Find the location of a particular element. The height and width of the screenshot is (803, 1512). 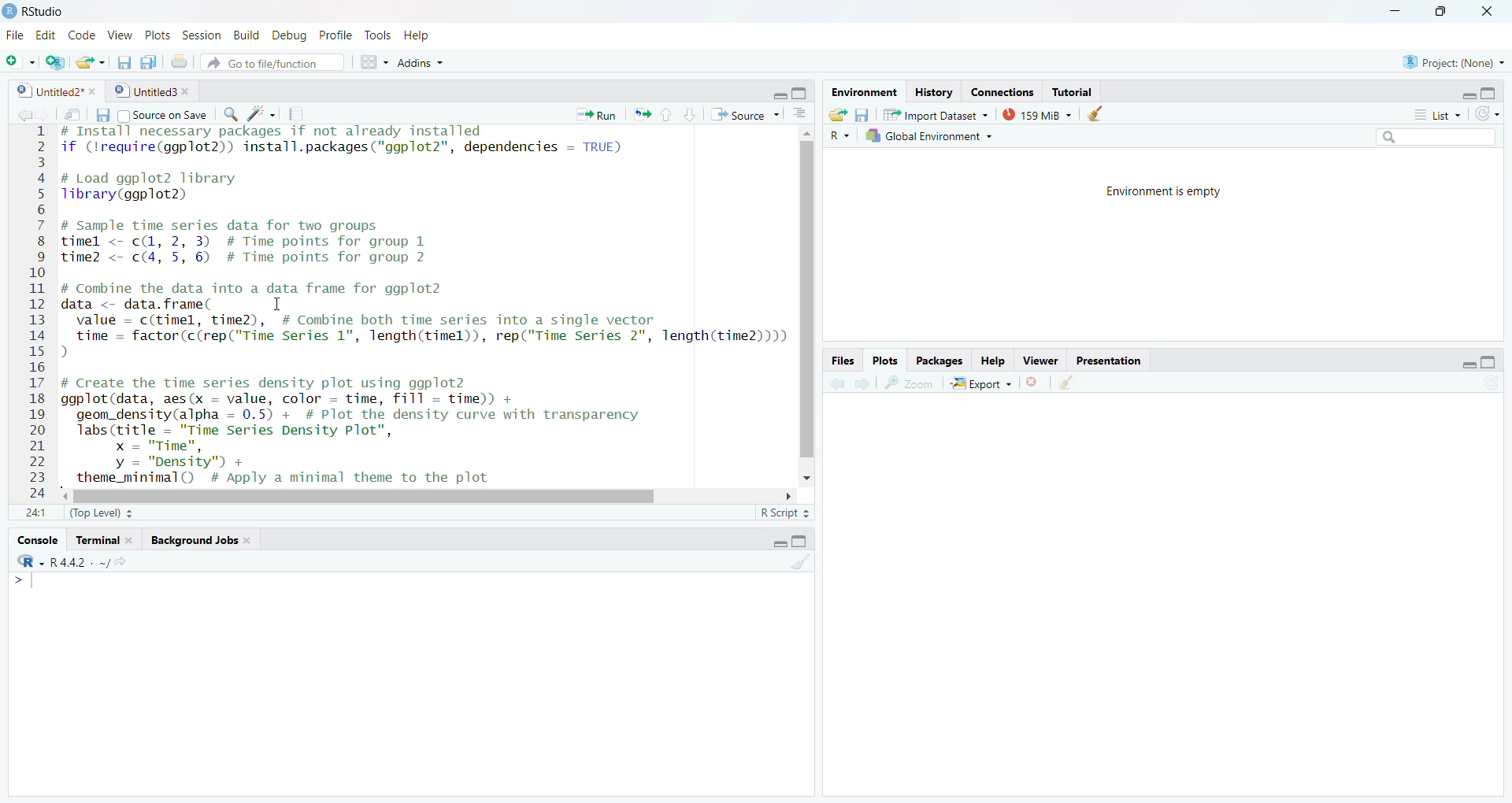

Maximize is located at coordinates (802, 94).